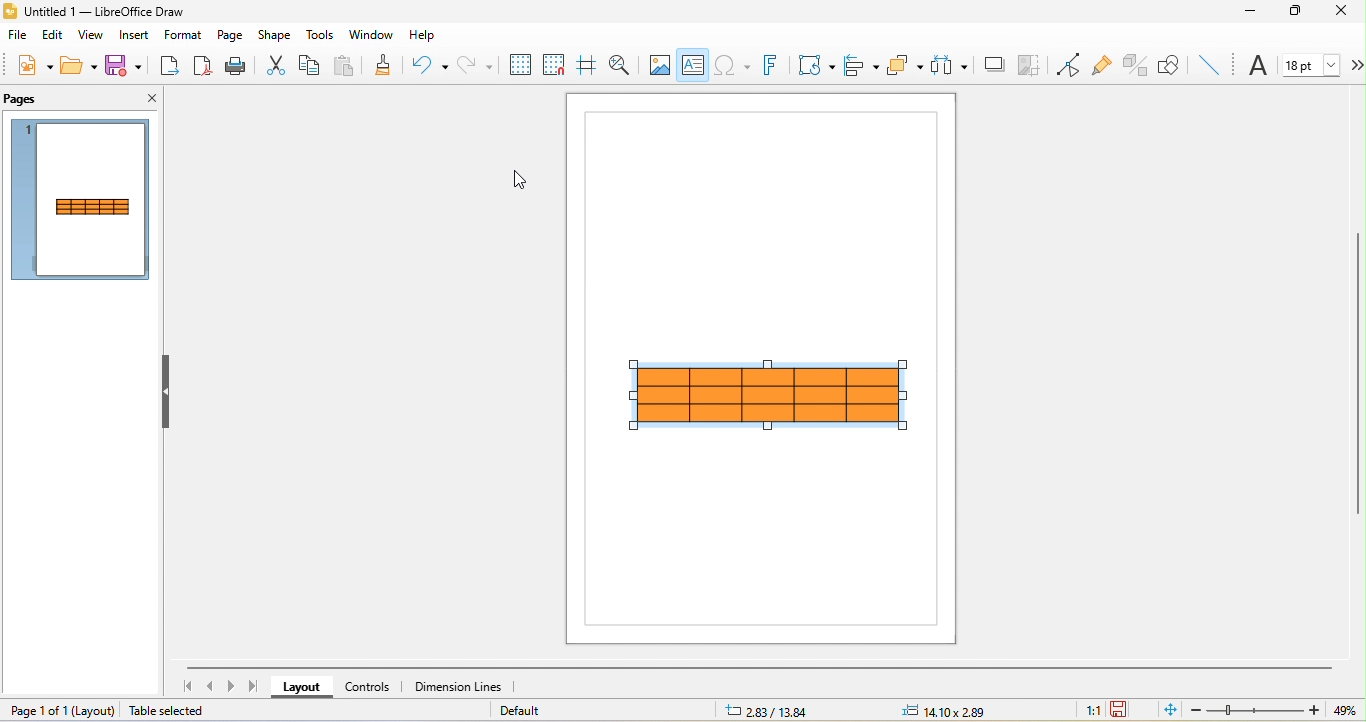 Image resolution: width=1366 pixels, height=722 pixels. Describe the element at coordinates (368, 33) in the screenshot. I see `window` at that location.